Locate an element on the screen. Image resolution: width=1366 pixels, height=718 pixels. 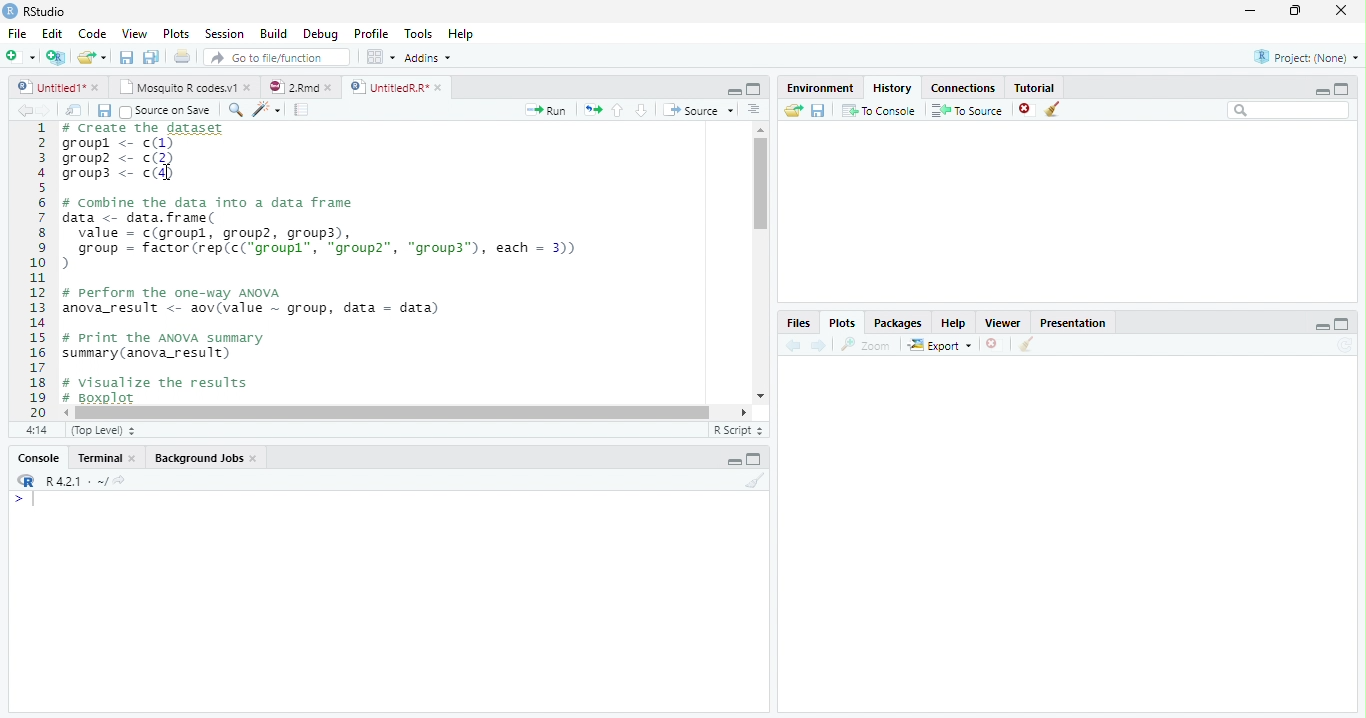
Maximize is located at coordinates (755, 461).